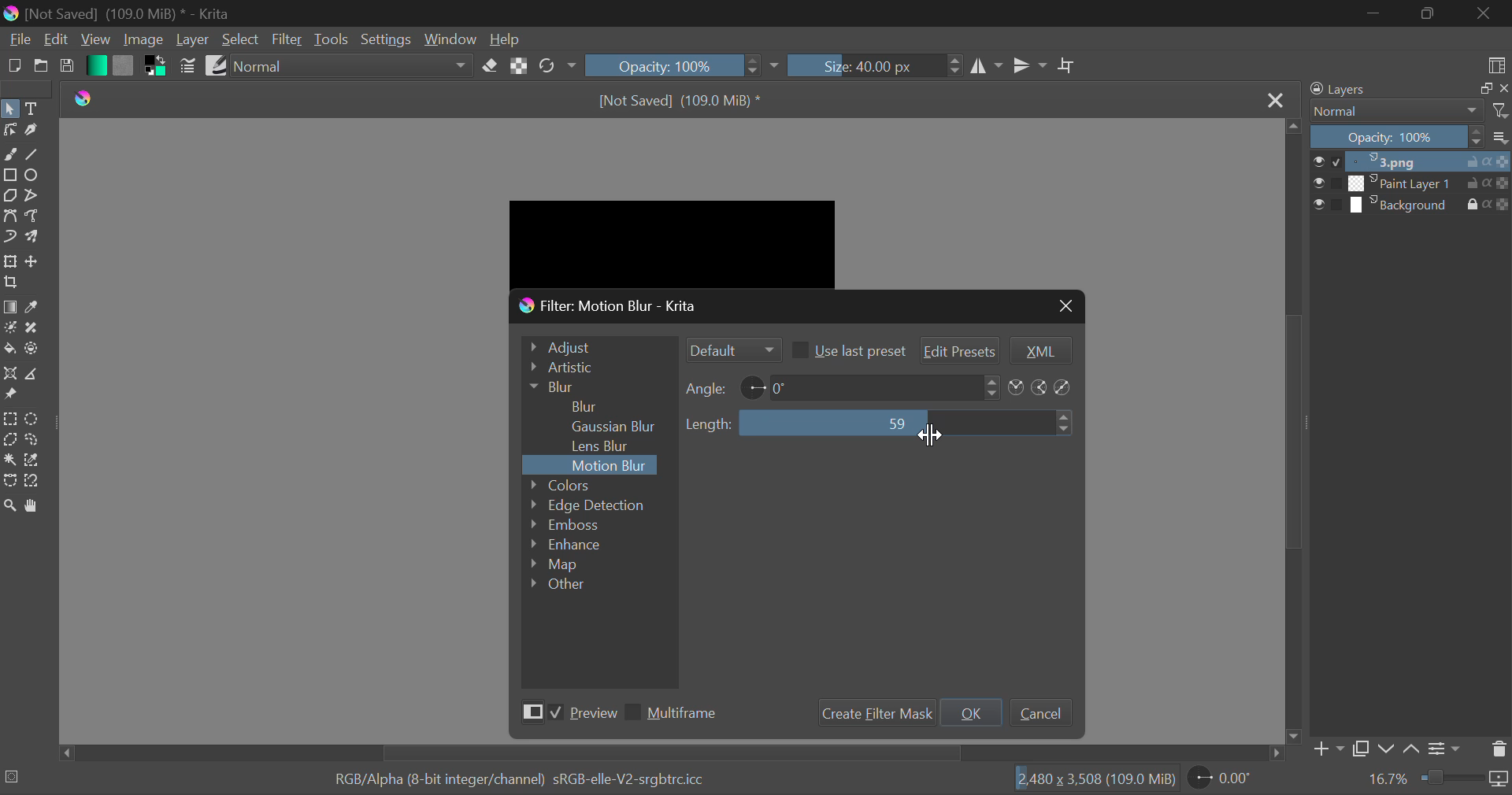 The width and height of the screenshot is (1512, 795). What do you see at coordinates (847, 349) in the screenshot?
I see `Use last preset` at bounding box center [847, 349].